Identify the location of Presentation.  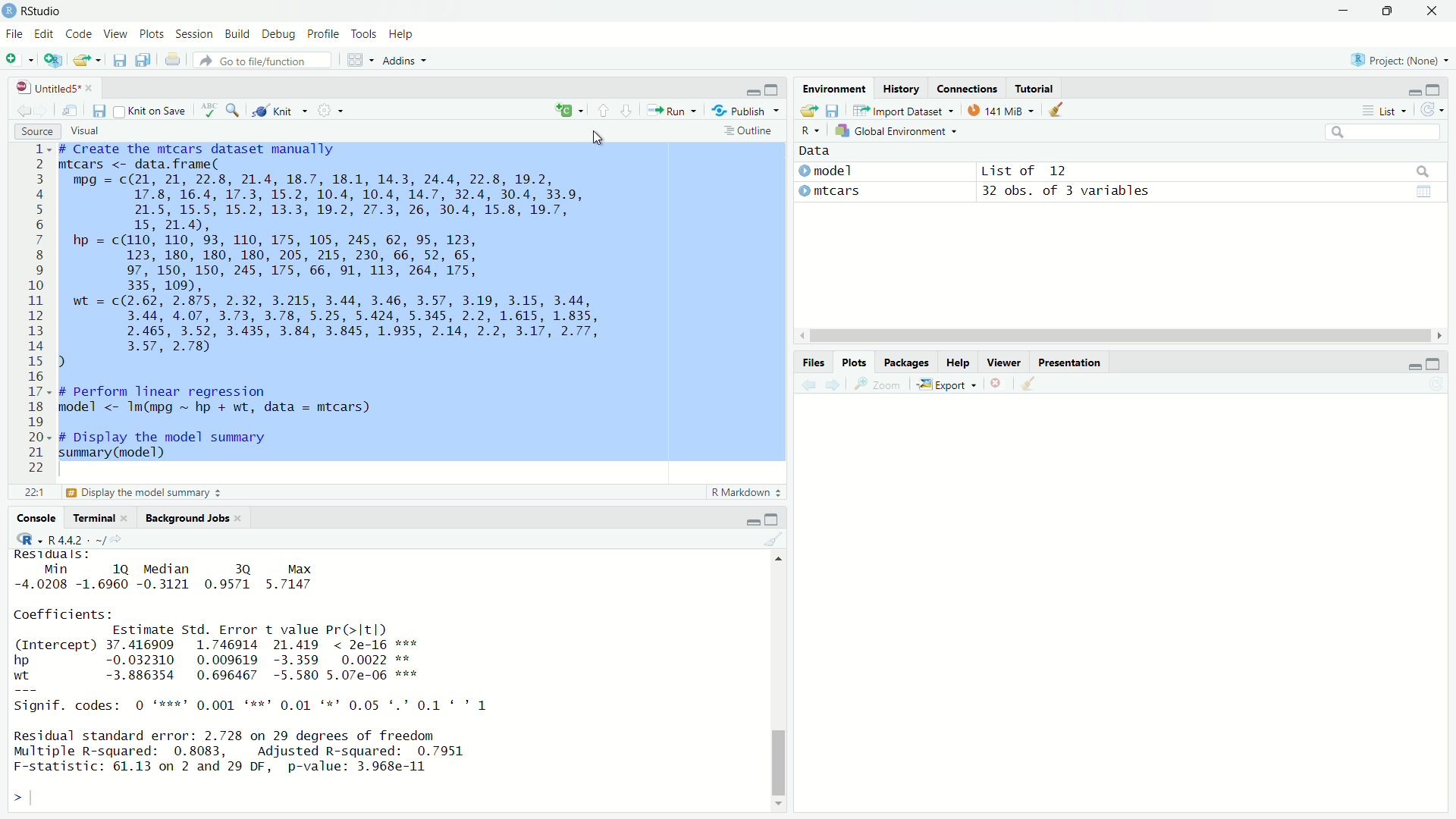
(1070, 363).